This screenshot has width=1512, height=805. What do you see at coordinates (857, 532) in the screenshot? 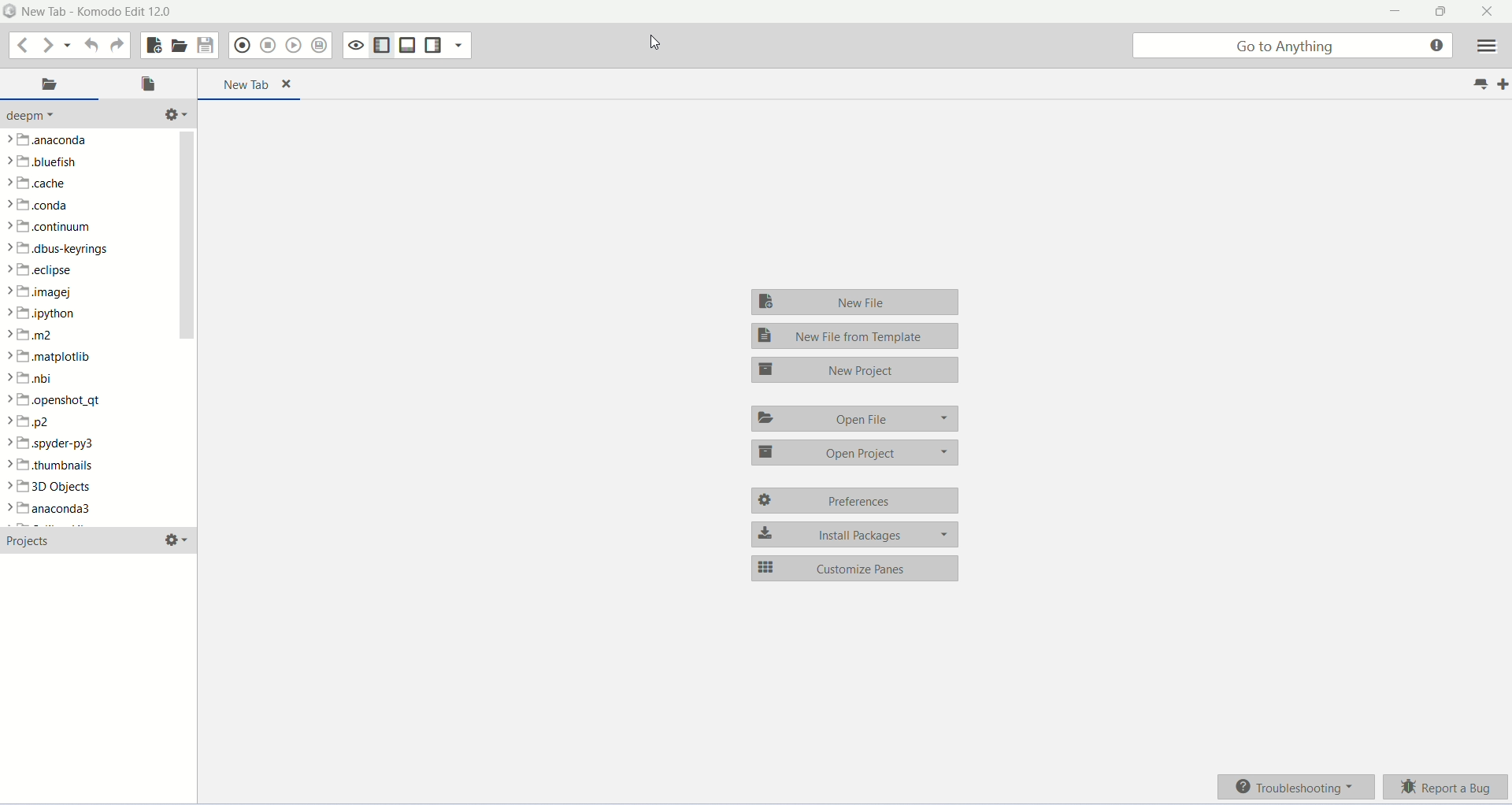
I see `install packages` at bounding box center [857, 532].